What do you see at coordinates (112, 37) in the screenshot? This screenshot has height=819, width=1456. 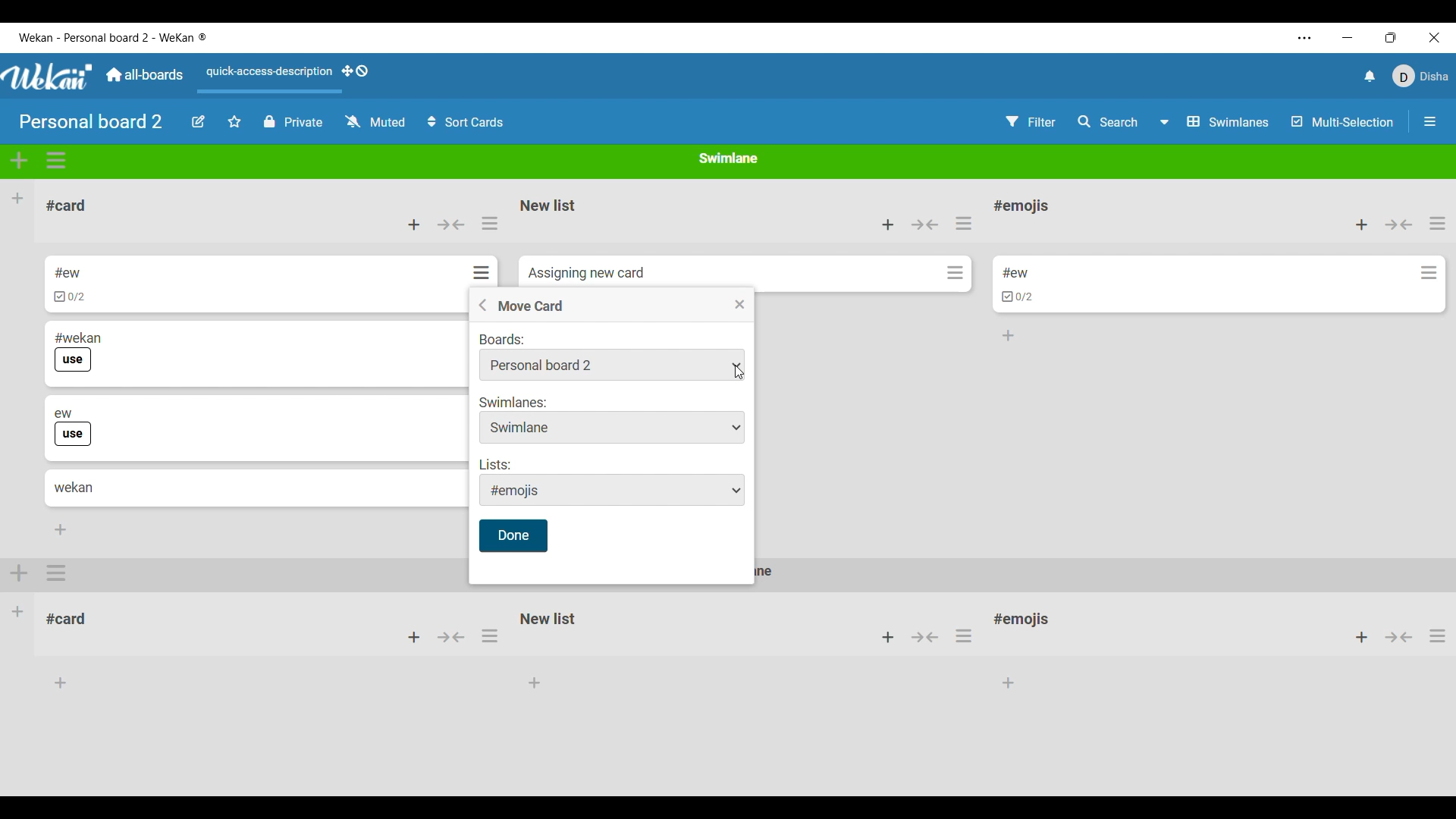 I see `Software name and board name` at bounding box center [112, 37].